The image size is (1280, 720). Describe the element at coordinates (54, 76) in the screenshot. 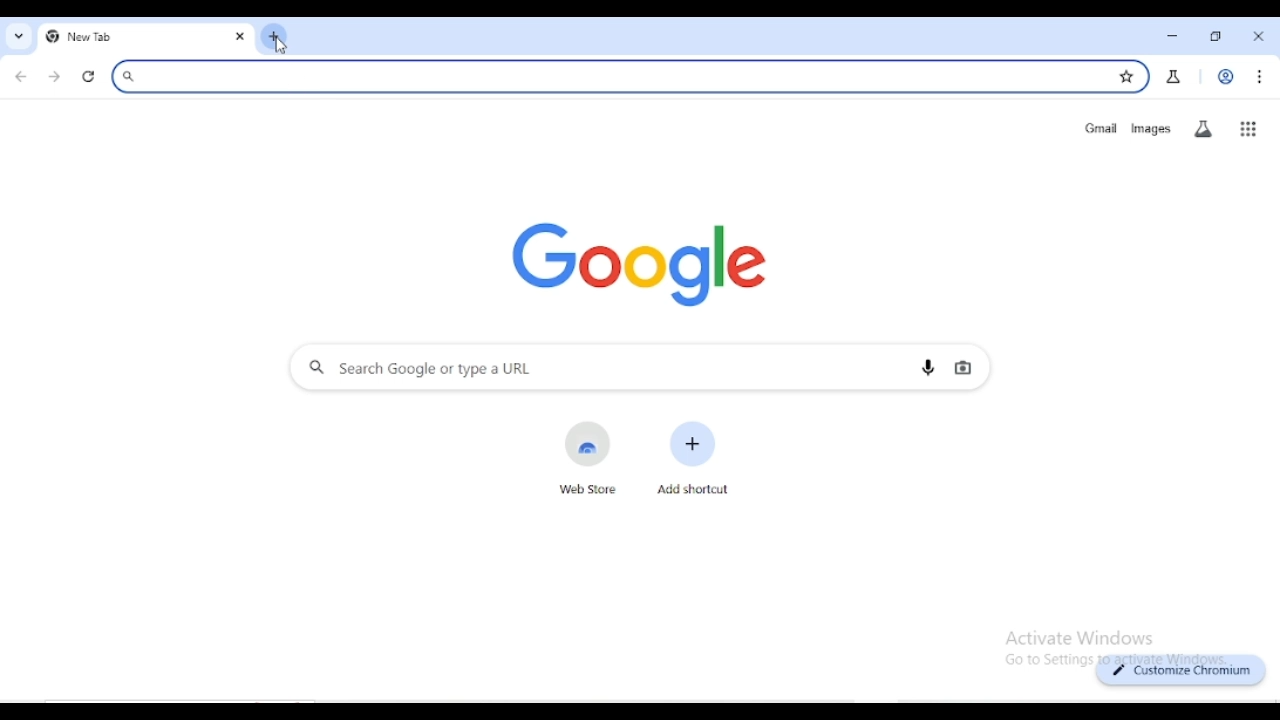

I see `click to go forward` at that location.